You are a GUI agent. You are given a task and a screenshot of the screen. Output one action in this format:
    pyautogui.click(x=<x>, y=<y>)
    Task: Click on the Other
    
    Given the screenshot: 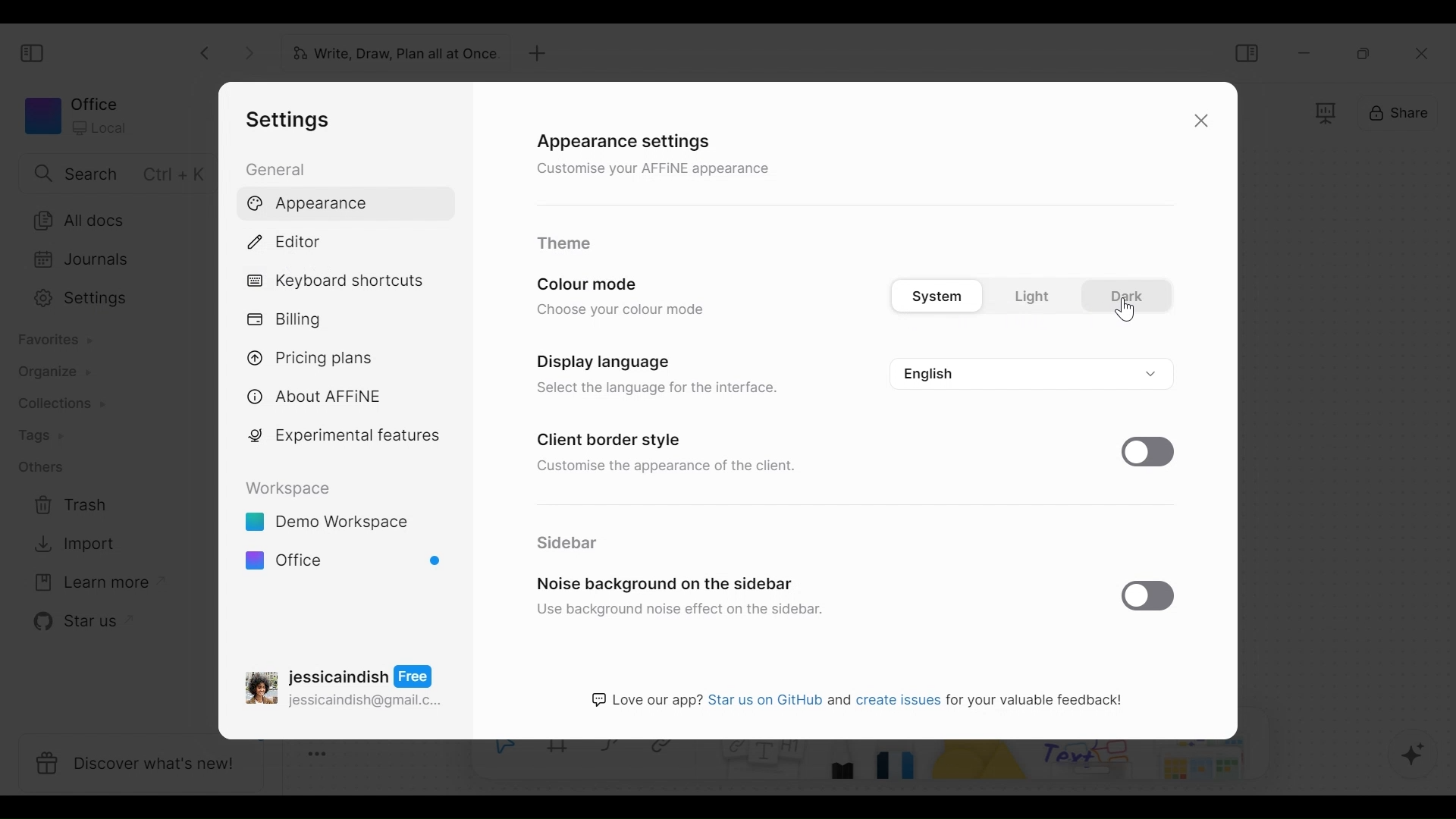 What is the action you would take?
    pyautogui.click(x=43, y=468)
    